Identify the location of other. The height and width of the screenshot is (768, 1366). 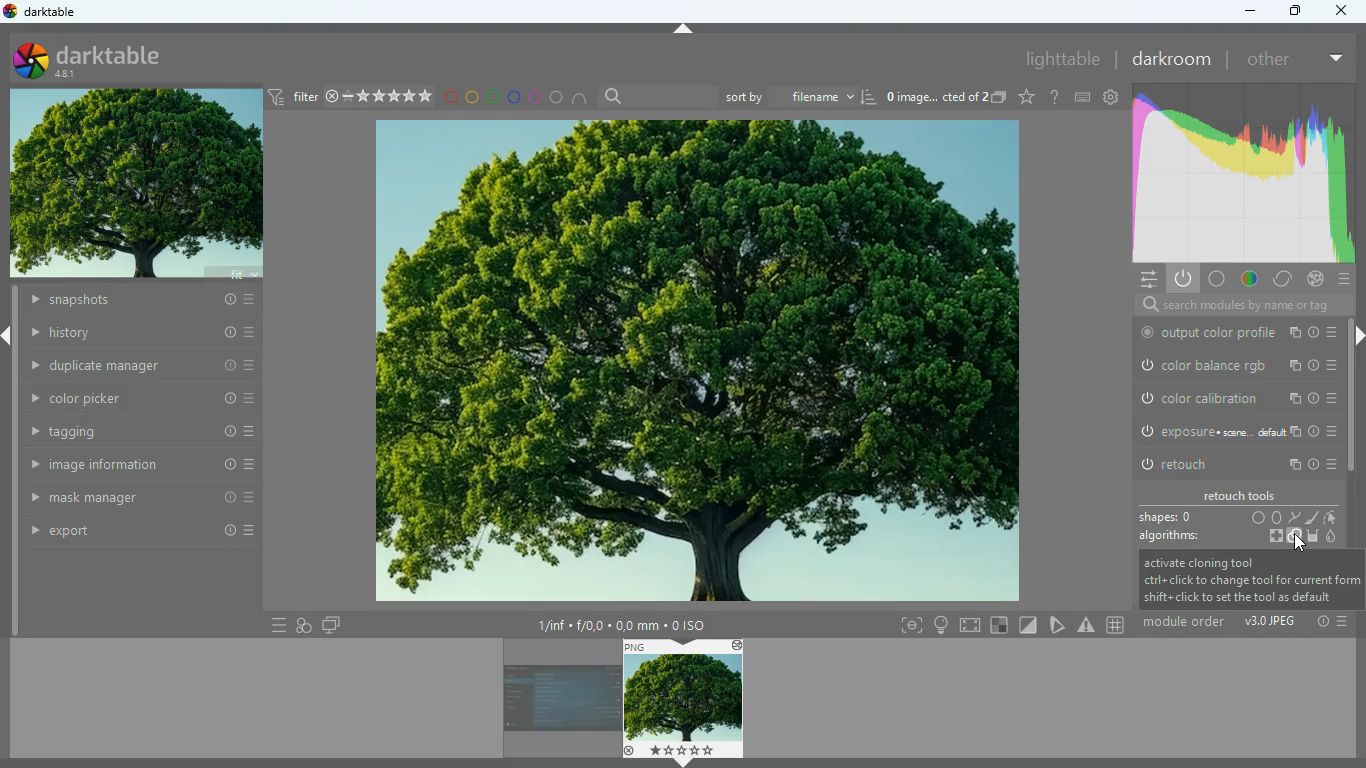
(1267, 59).